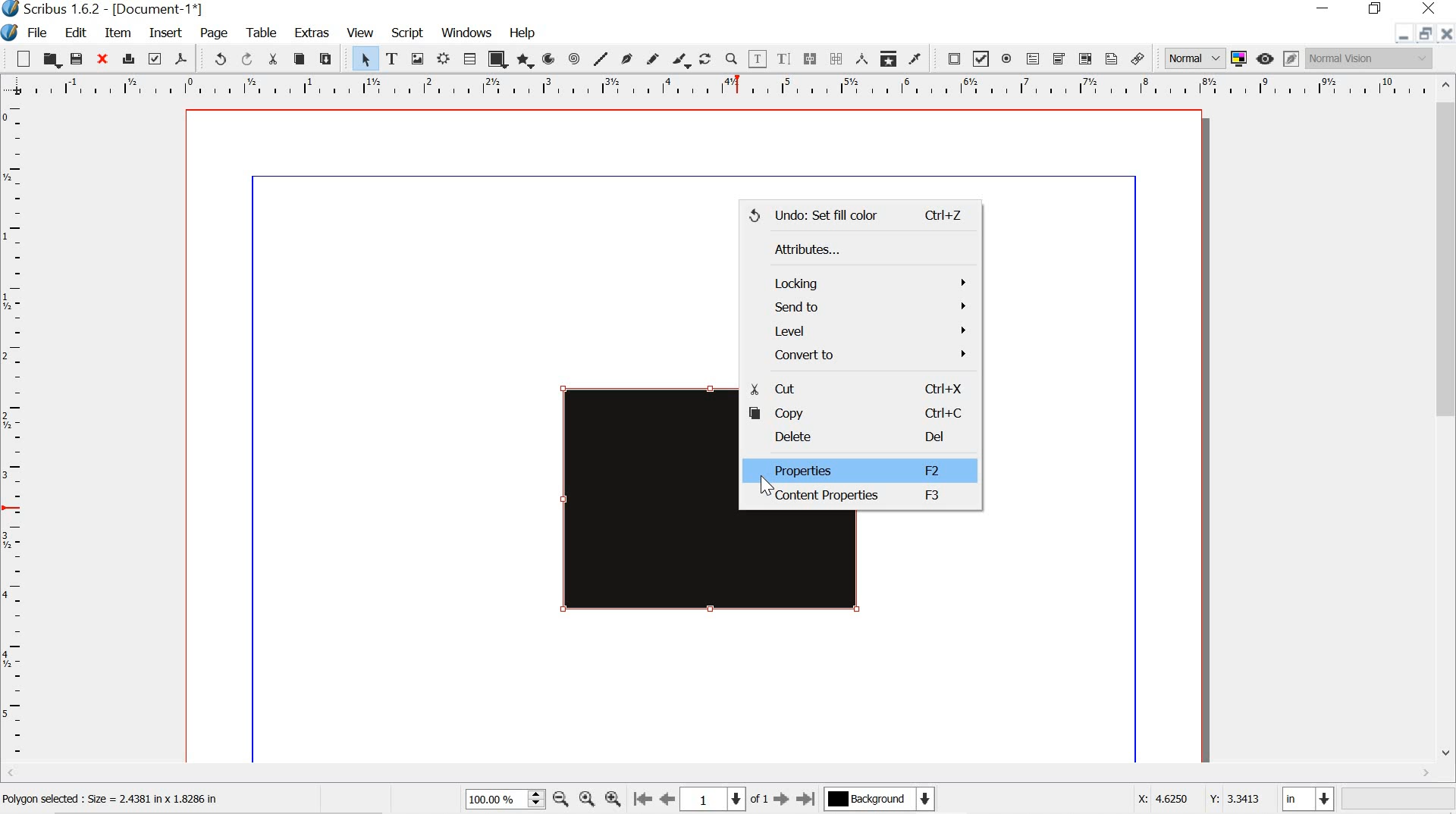 The image size is (1456, 814). I want to click on locking, so click(860, 280).